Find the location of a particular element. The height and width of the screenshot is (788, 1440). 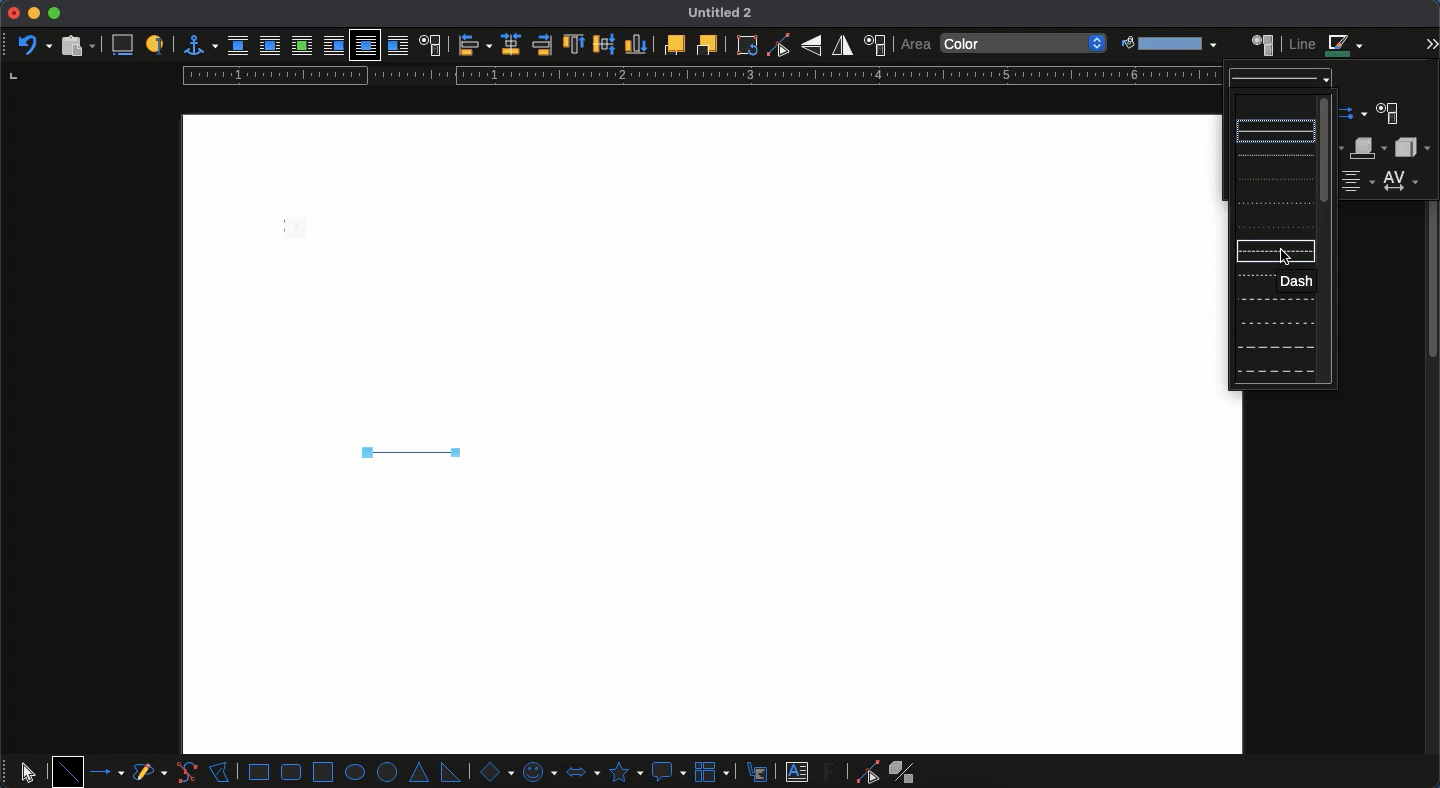

none is located at coordinates (238, 46).